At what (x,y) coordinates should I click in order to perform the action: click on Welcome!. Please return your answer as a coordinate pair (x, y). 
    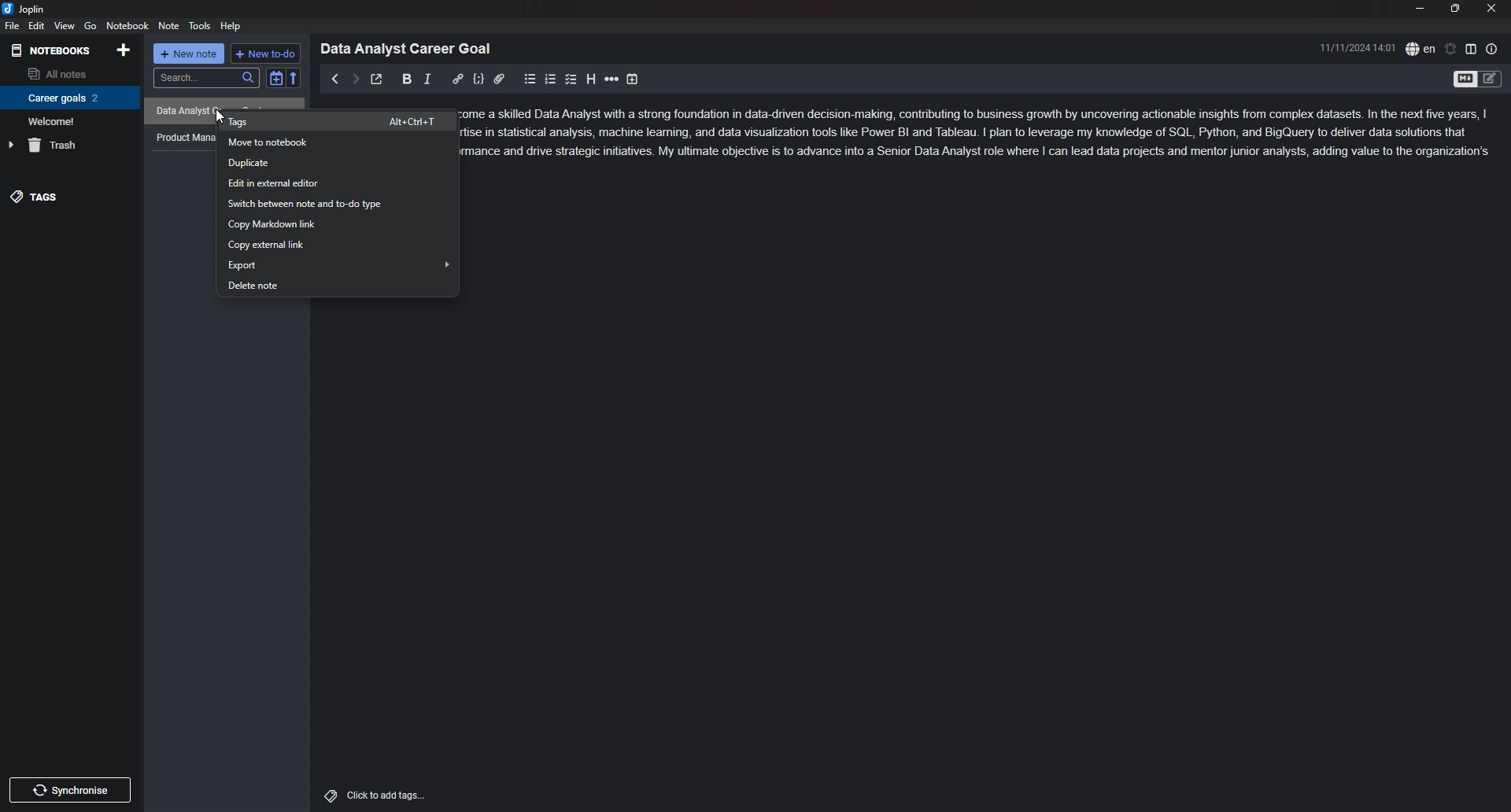
    Looking at the image, I should click on (66, 120).